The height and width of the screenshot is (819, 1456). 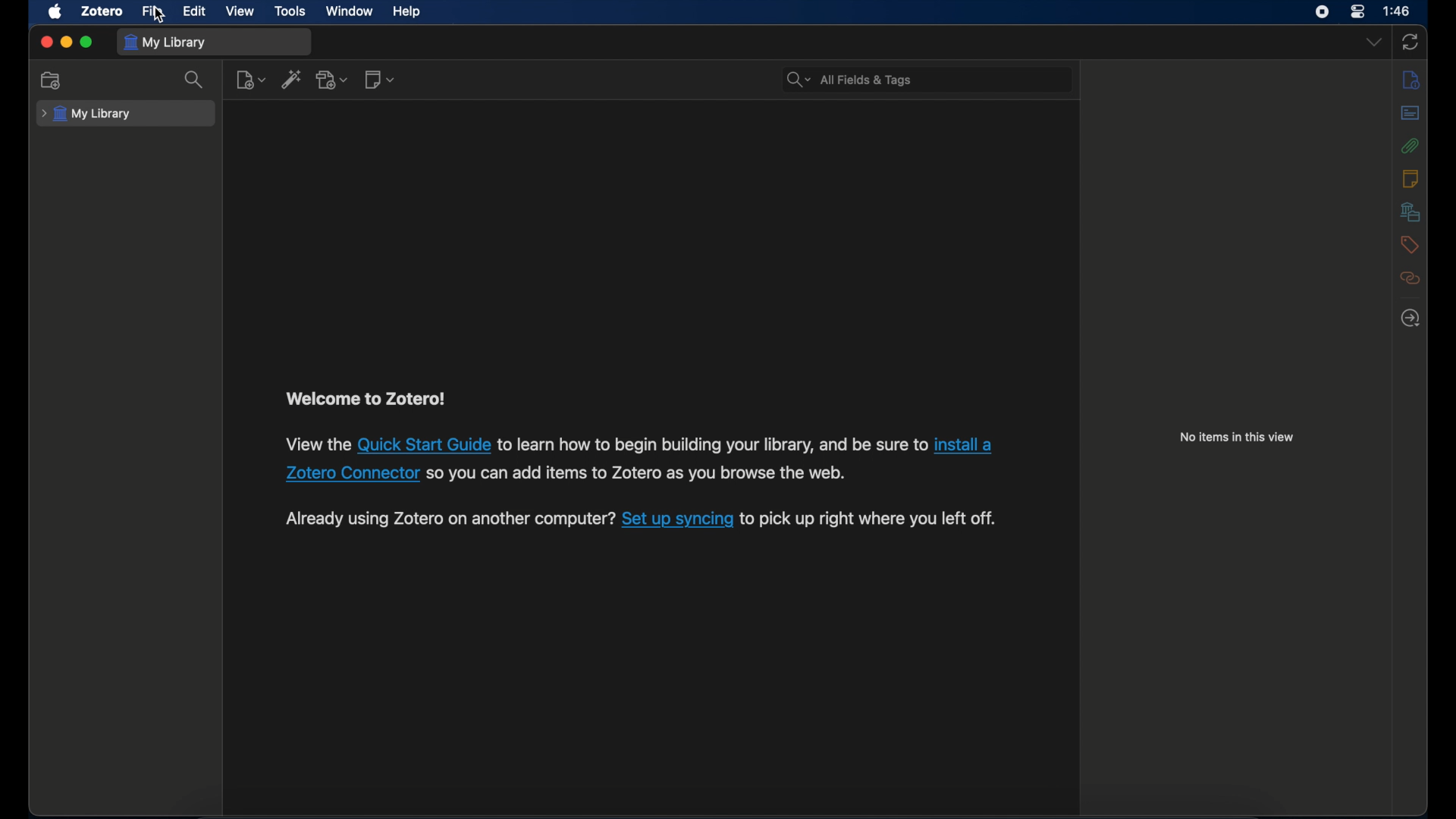 What do you see at coordinates (1373, 42) in the screenshot?
I see `dropdown` at bounding box center [1373, 42].